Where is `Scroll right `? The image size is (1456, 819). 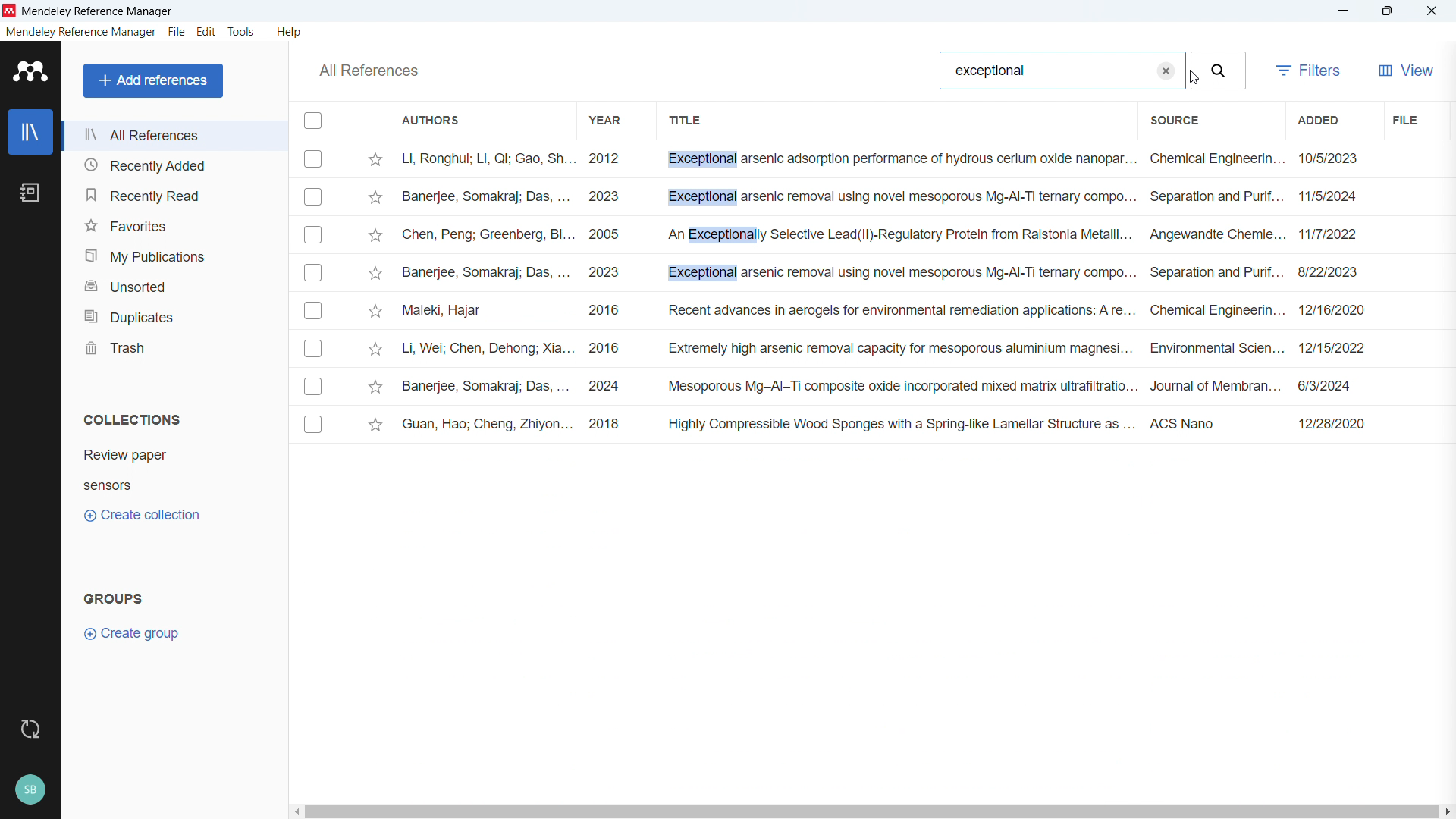 Scroll right  is located at coordinates (1447, 813).